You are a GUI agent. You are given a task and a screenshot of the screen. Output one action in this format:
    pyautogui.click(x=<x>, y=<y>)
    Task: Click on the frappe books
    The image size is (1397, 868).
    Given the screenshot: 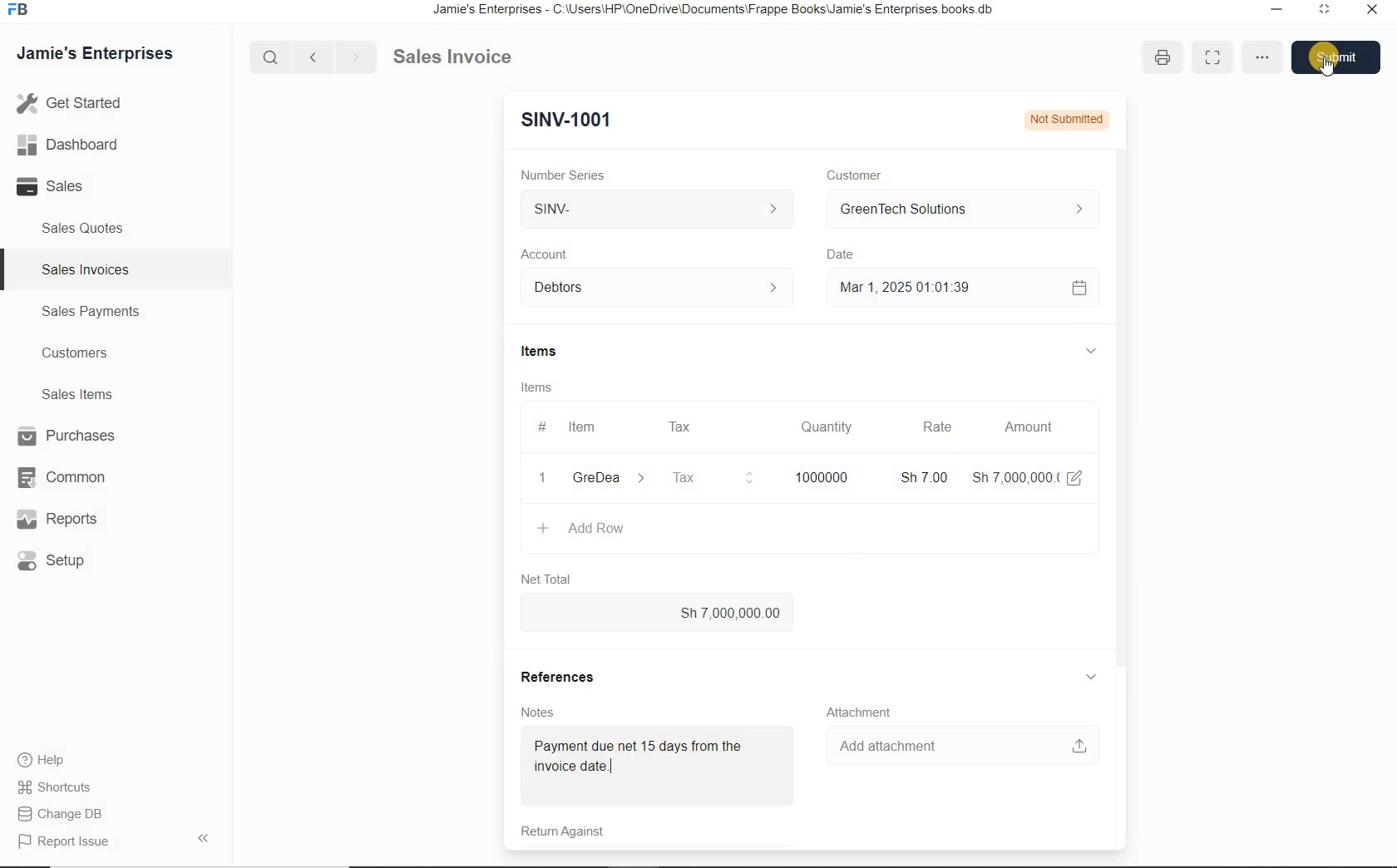 What is the action you would take?
    pyautogui.click(x=17, y=11)
    